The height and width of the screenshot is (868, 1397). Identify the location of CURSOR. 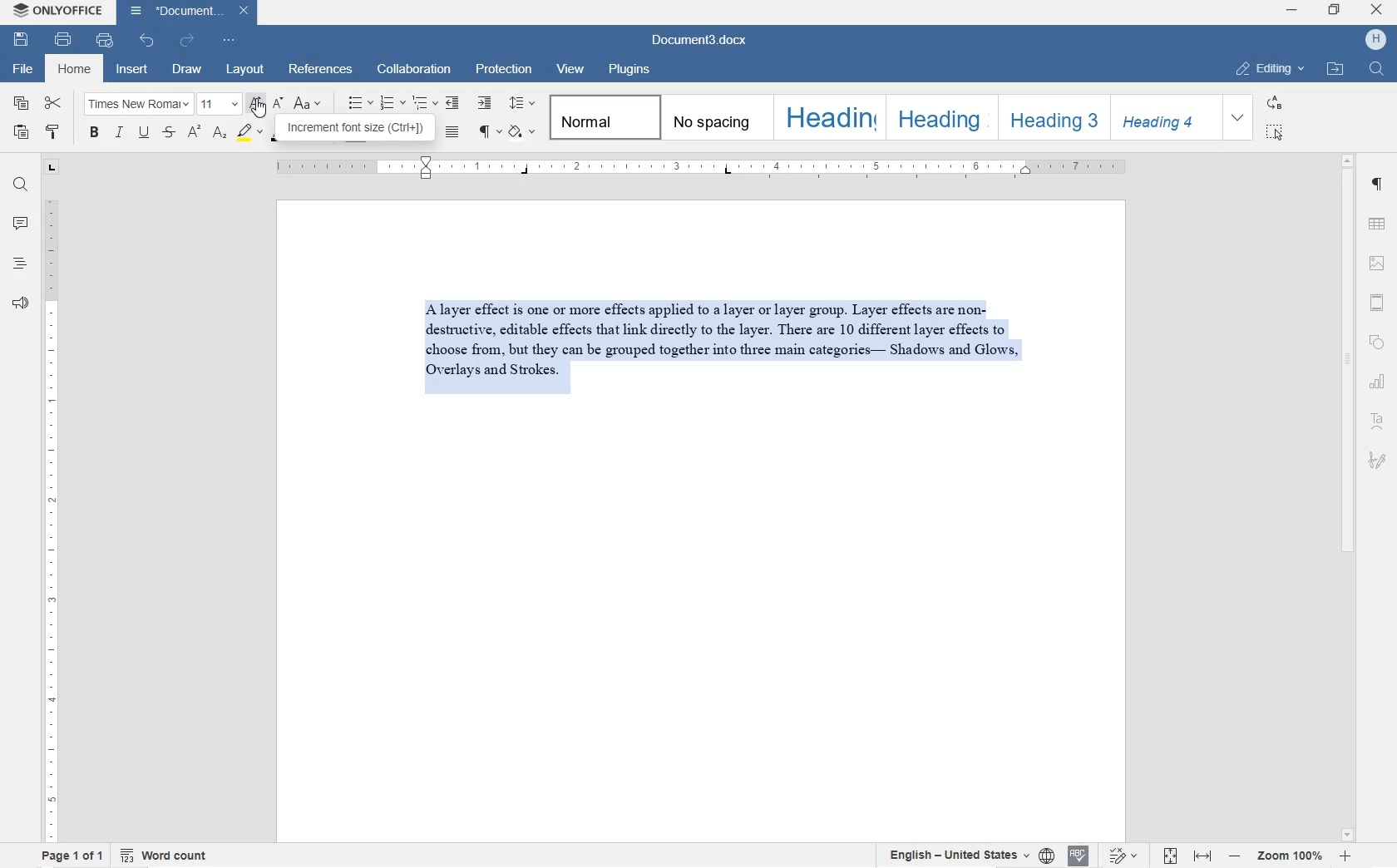
(259, 108).